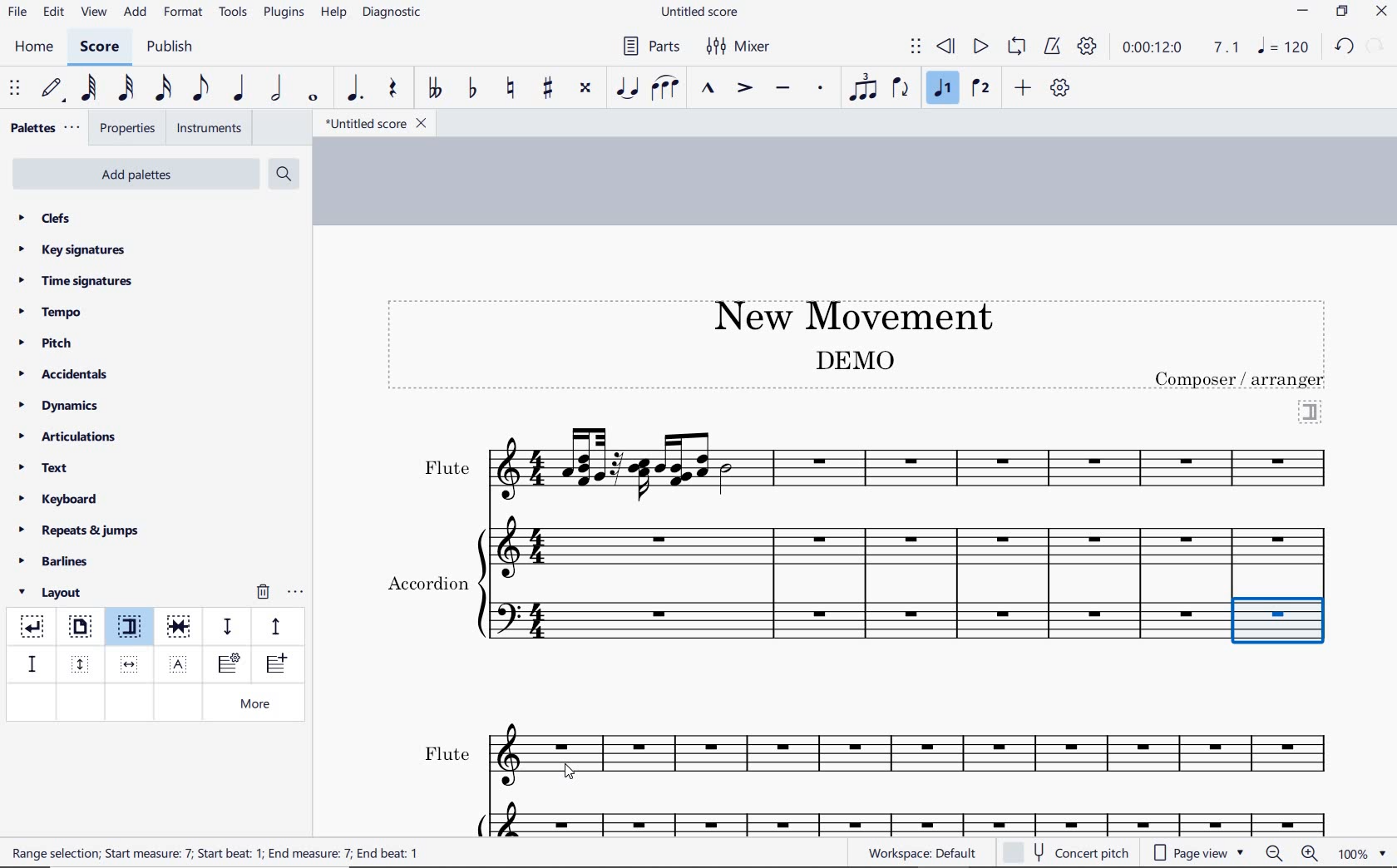  What do you see at coordinates (263, 594) in the screenshot?
I see `remove layout` at bounding box center [263, 594].